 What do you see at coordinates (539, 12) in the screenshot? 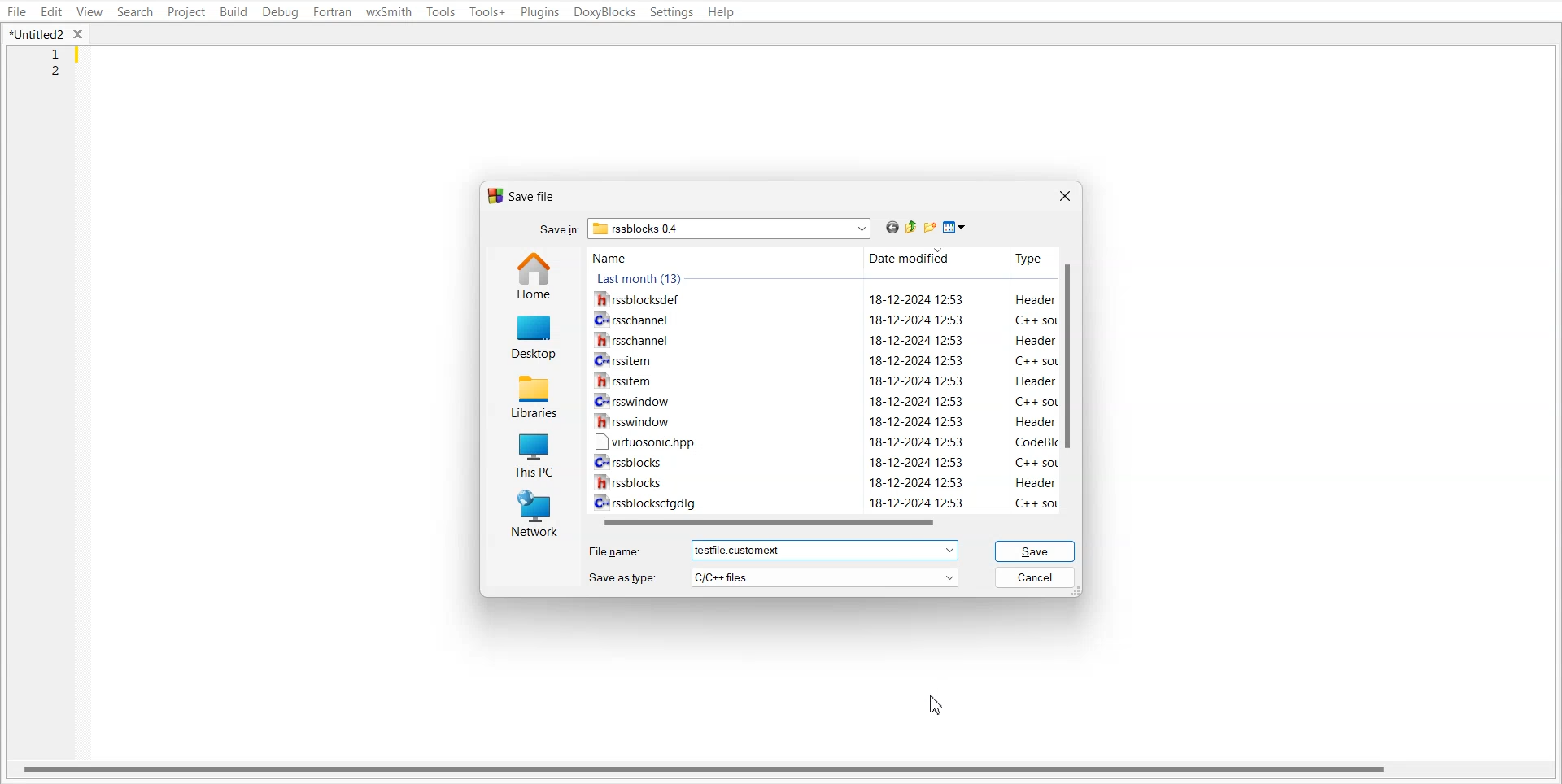
I see `Plugins` at bounding box center [539, 12].